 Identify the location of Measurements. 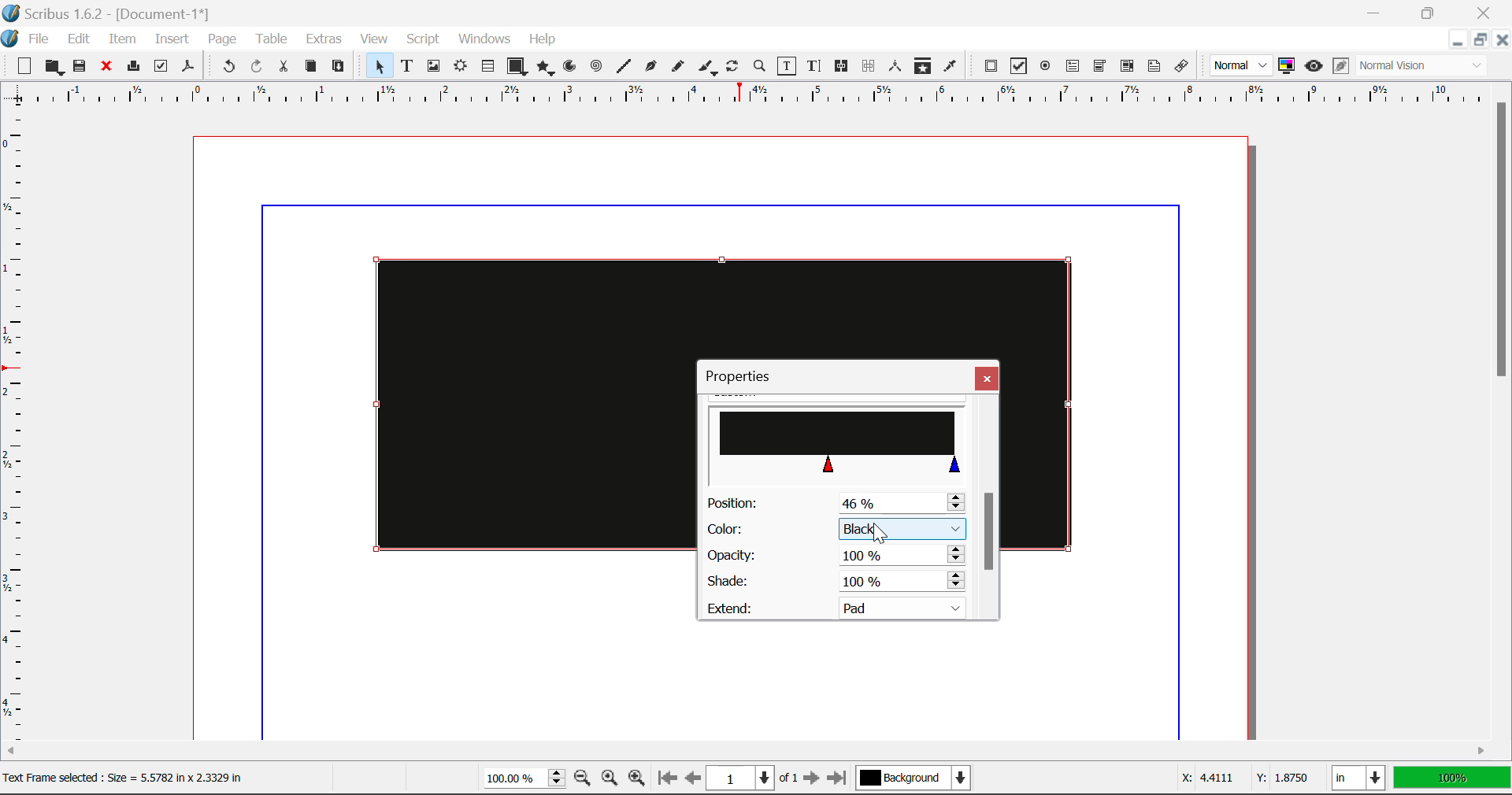
(896, 66).